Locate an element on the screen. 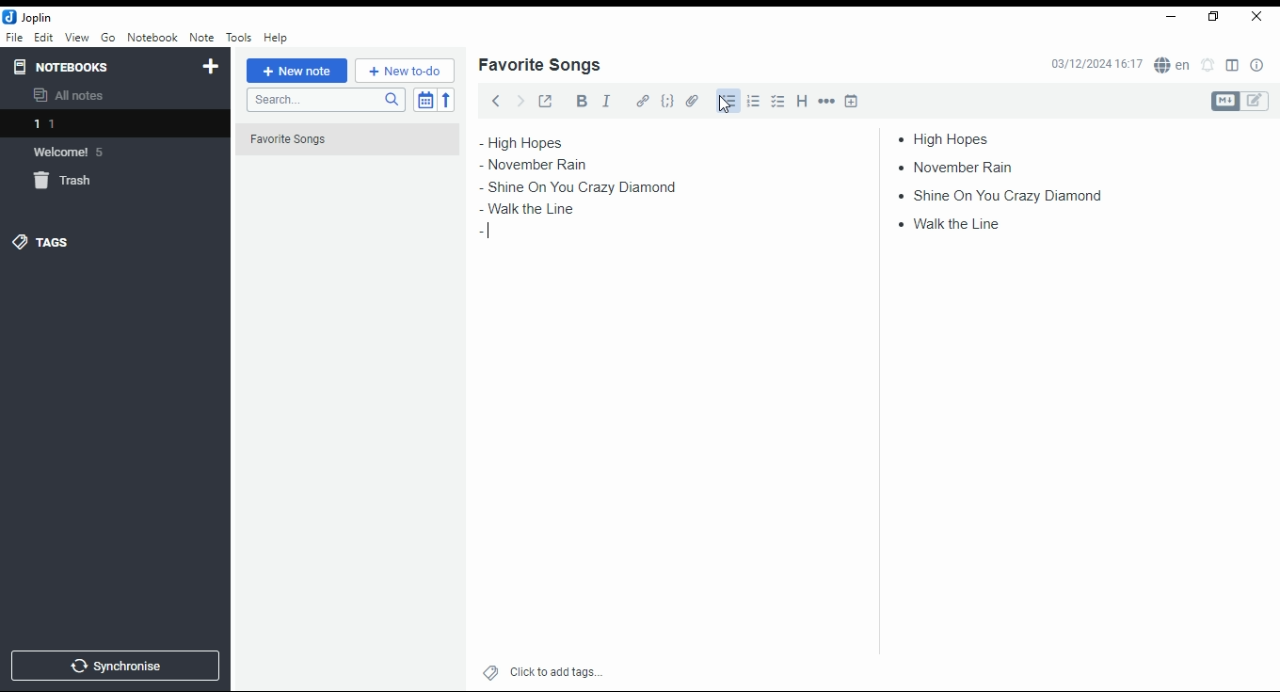  Favorite Songs is located at coordinates (337, 140).